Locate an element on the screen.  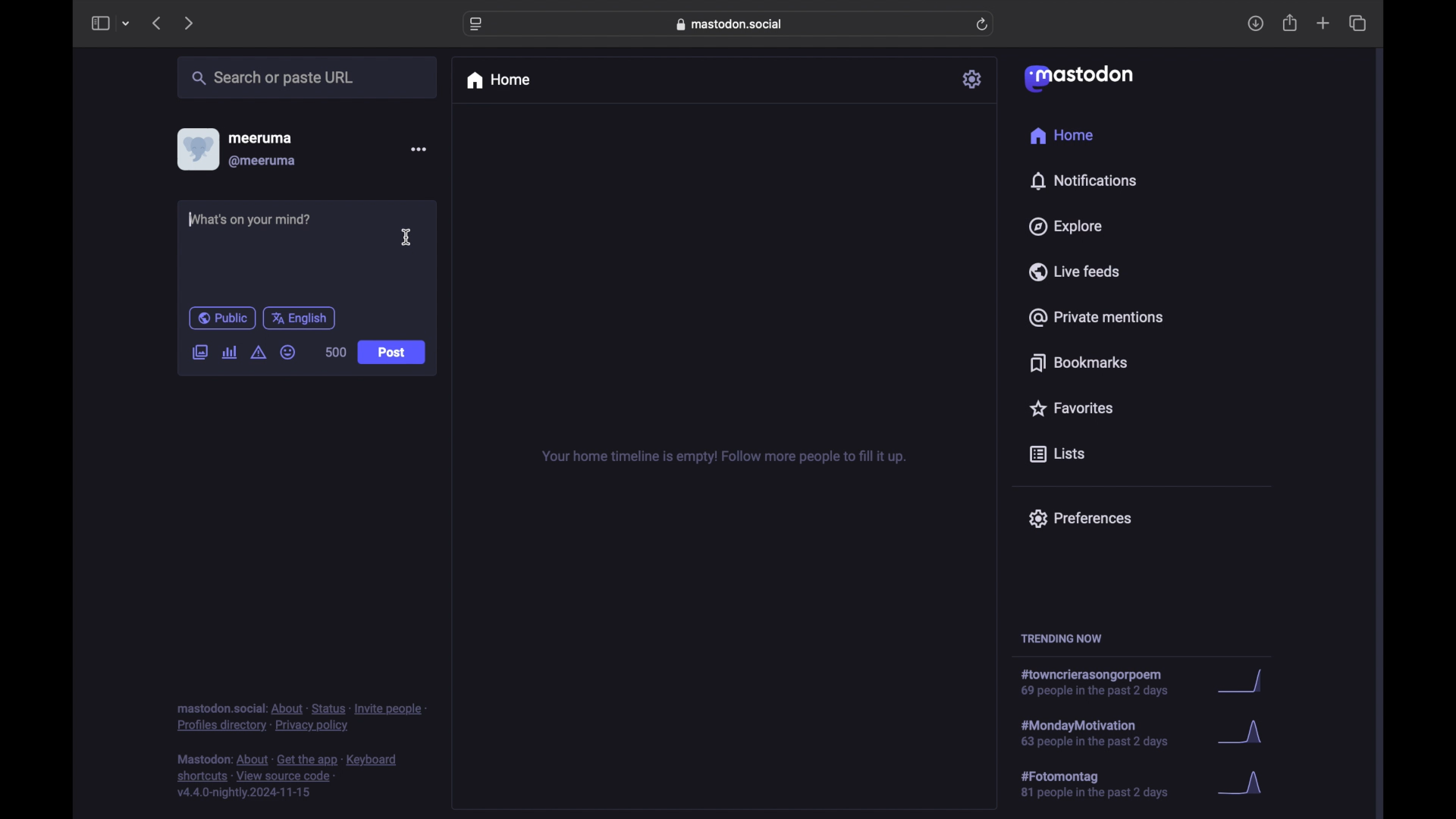
add  poll is located at coordinates (229, 352).